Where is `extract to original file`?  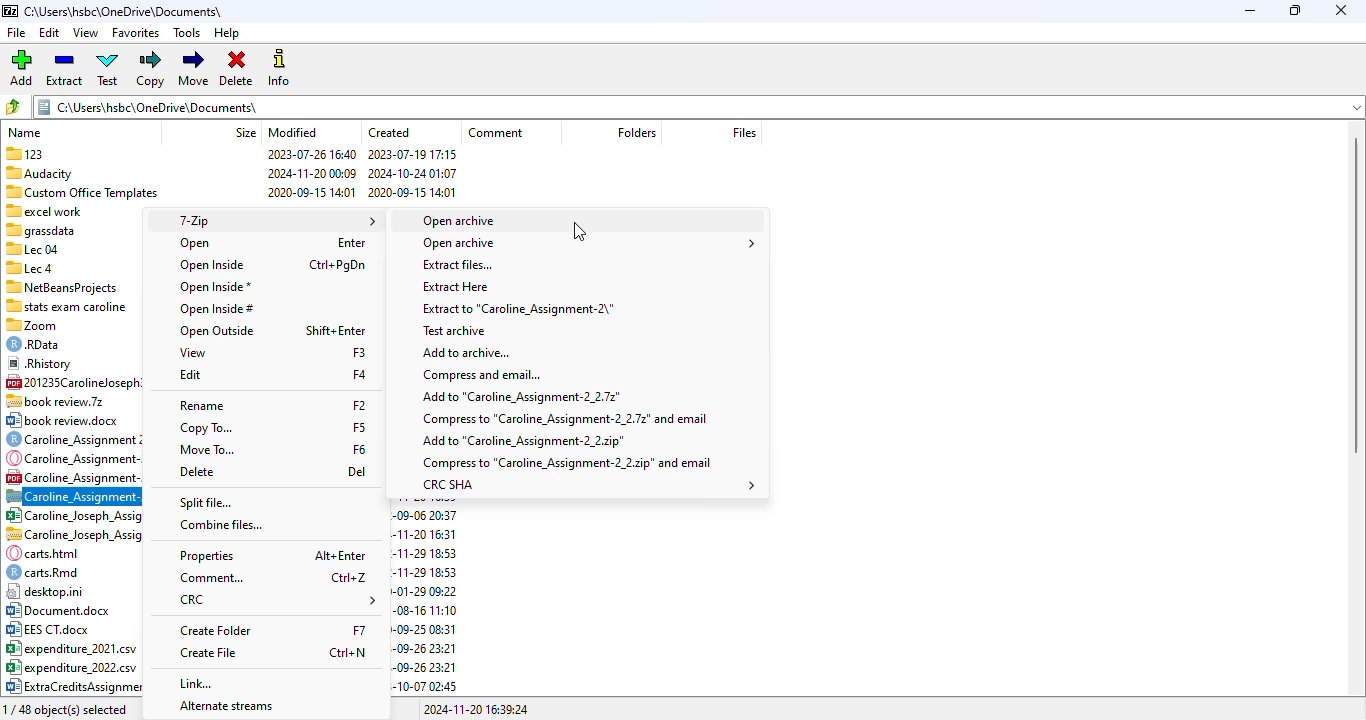 extract to original file is located at coordinates (517, 309).